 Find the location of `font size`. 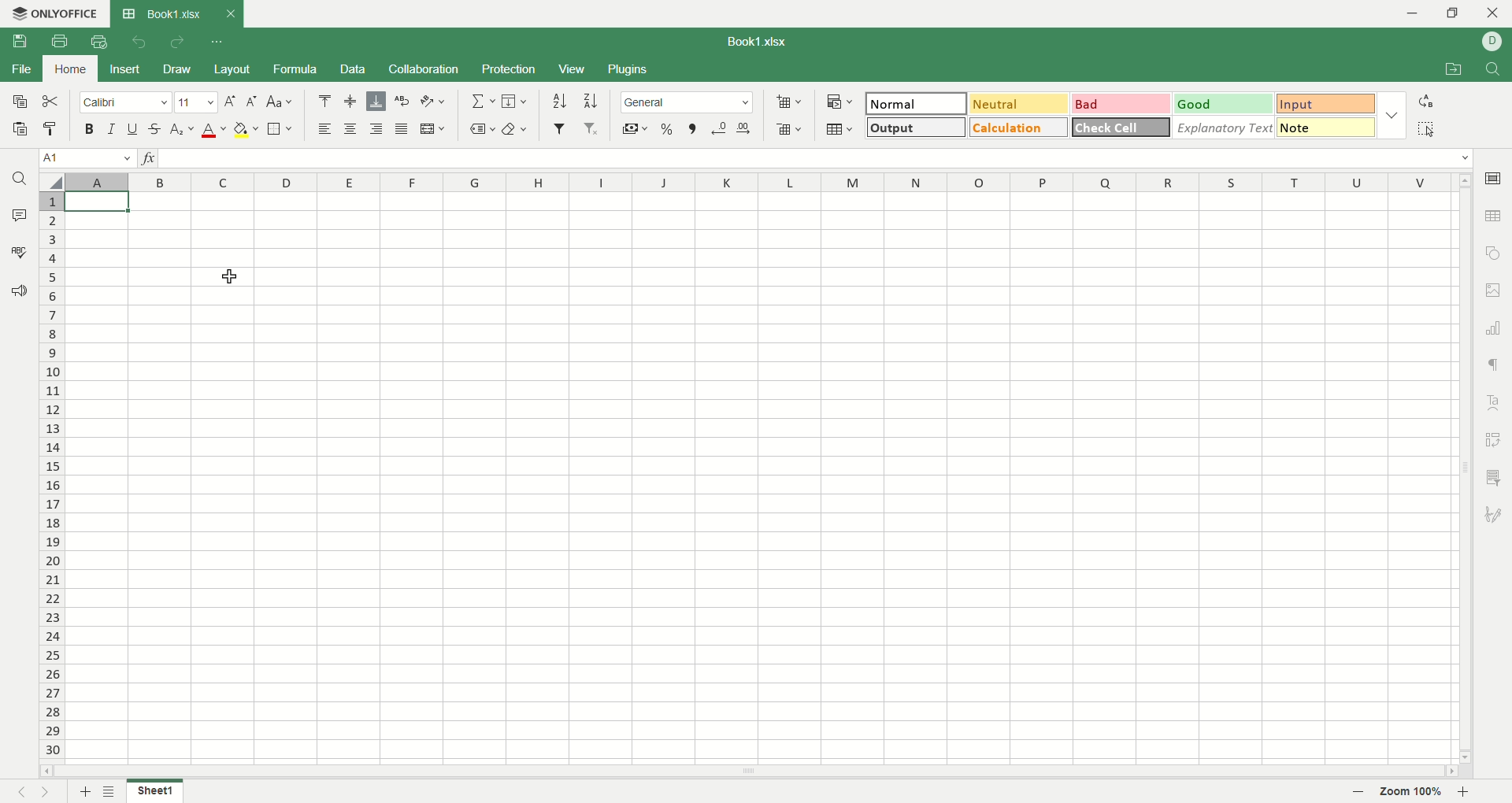

font size is located at coordinates (195, 103).